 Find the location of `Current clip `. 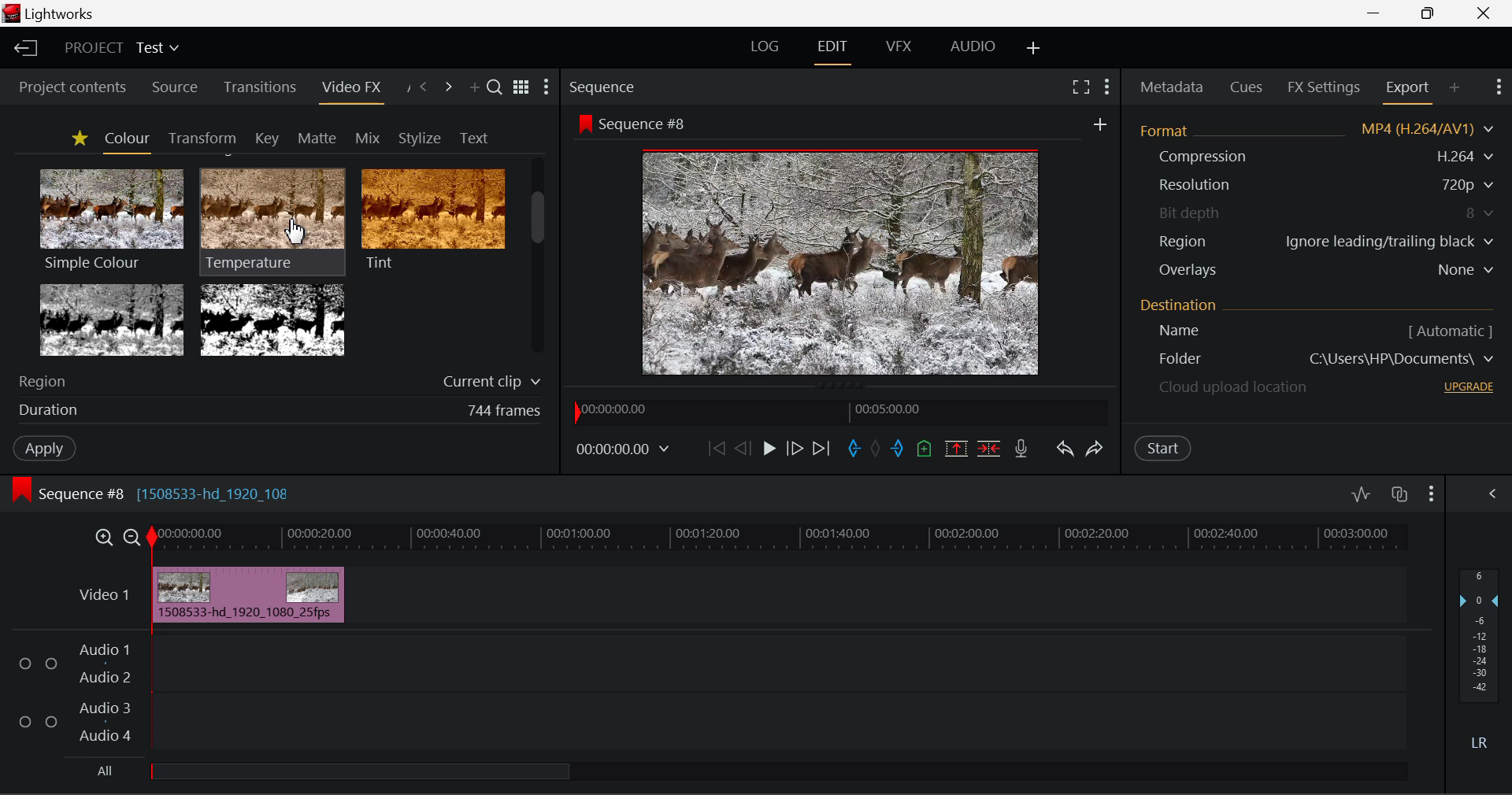

Current clip  is located at coordinates (489, 383).